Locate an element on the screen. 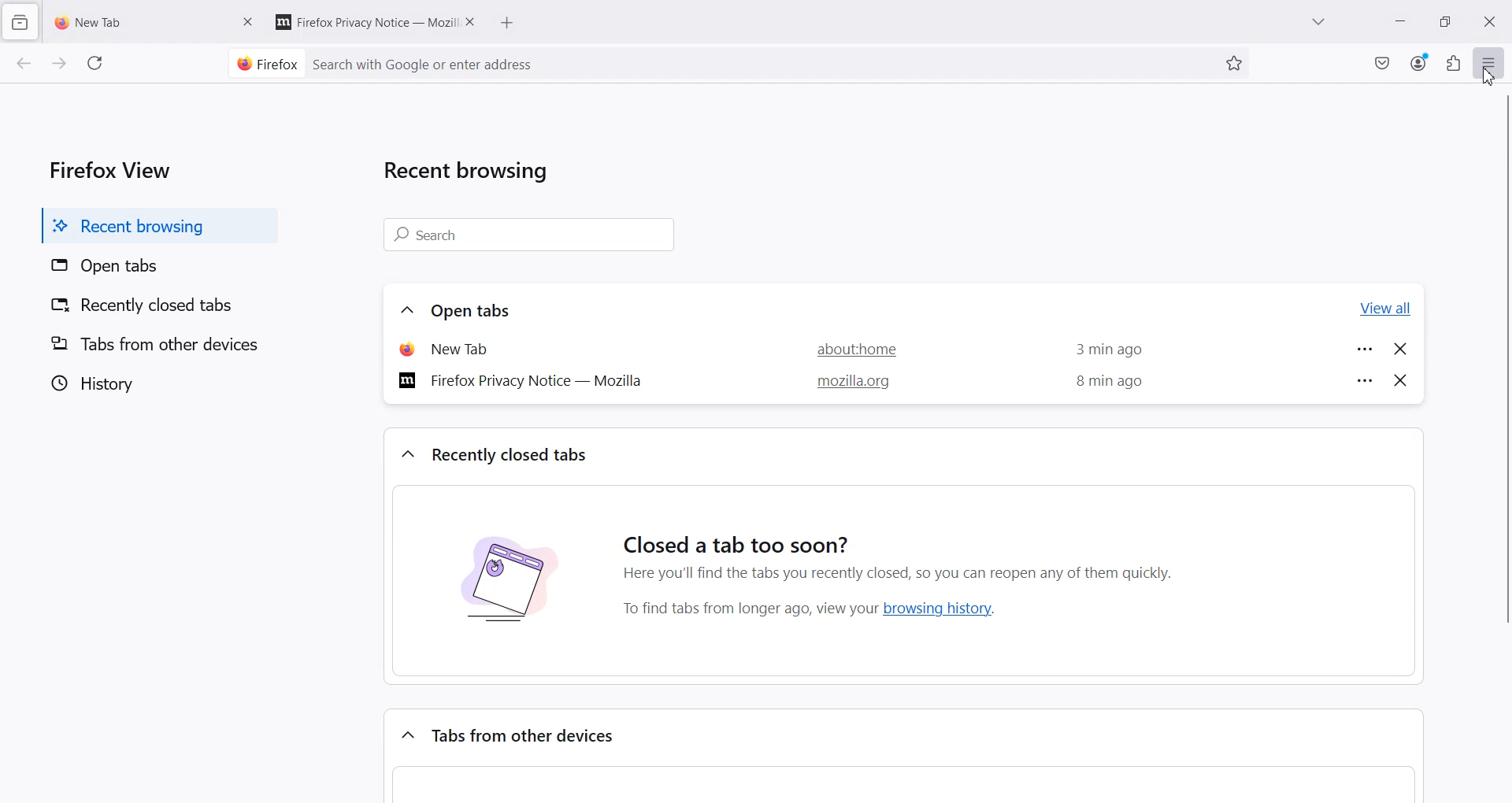  Back is located at coordinates (24, 65).